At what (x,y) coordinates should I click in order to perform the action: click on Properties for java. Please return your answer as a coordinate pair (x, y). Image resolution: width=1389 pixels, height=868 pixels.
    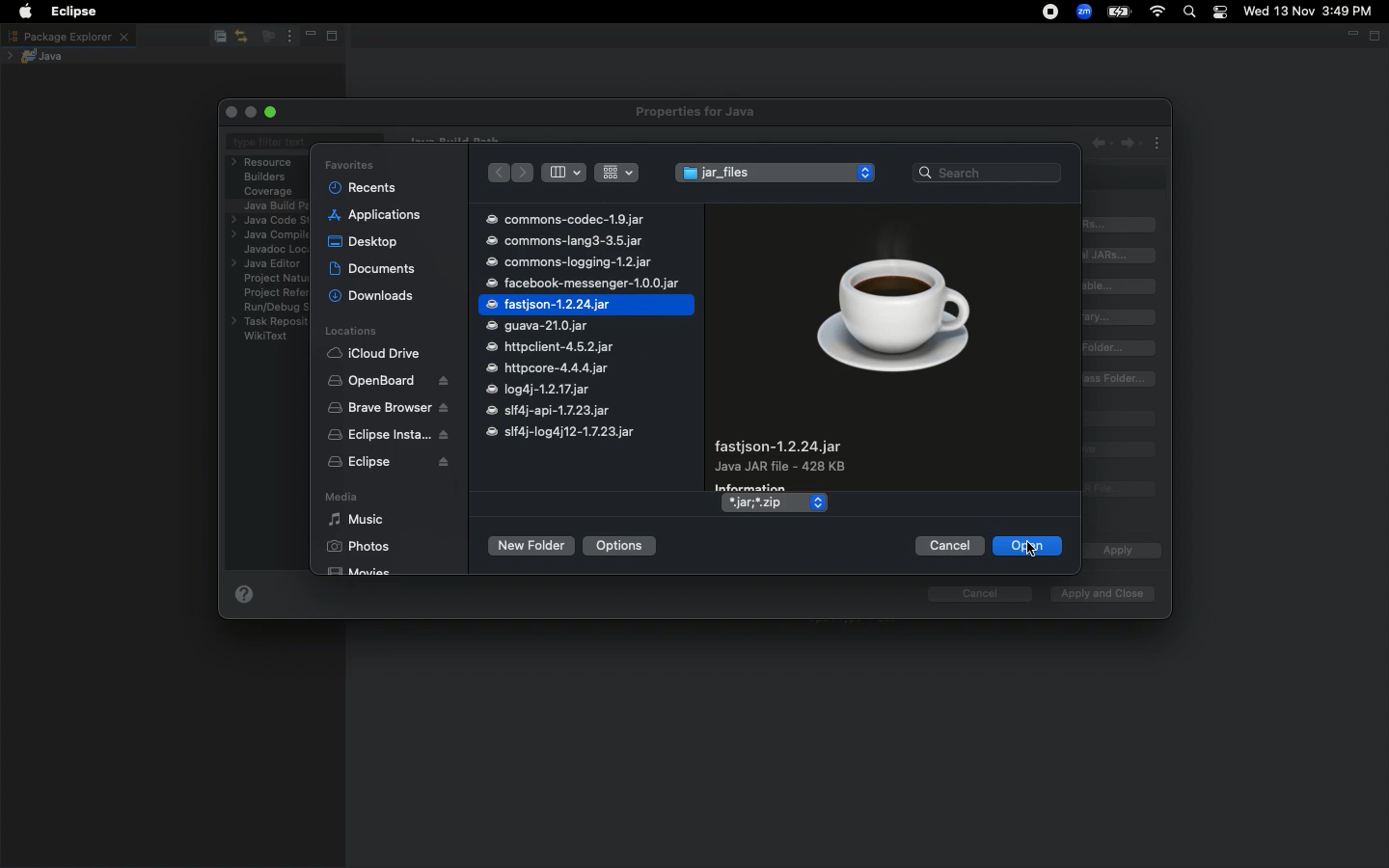
    Looking at the image, I should click on (698, 113).